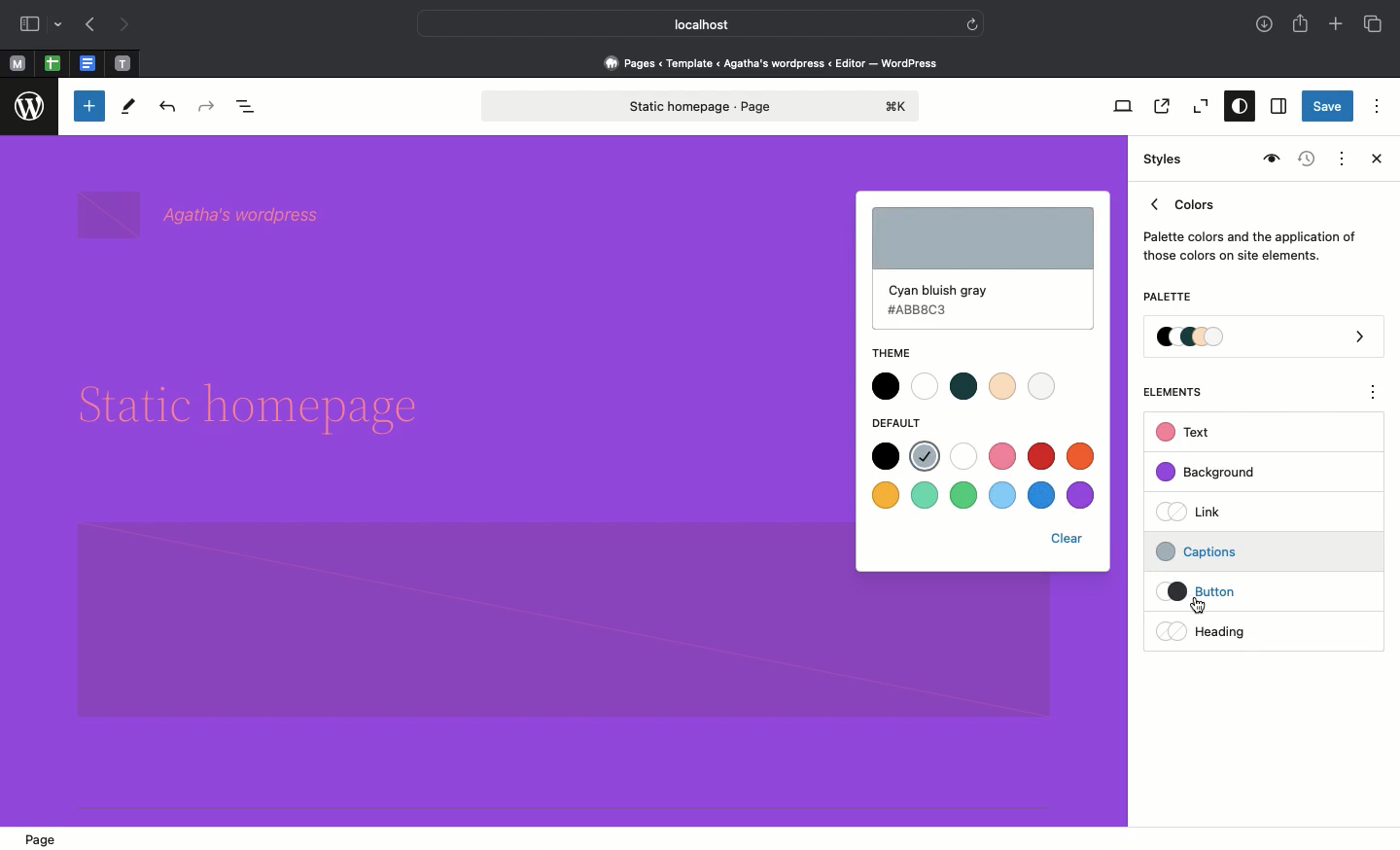 This screenshot has width=1400, height=850. What do you see at coordinates (88, 26) in the screenshot?
I see `Previous page` at bounding box center [88, 26].